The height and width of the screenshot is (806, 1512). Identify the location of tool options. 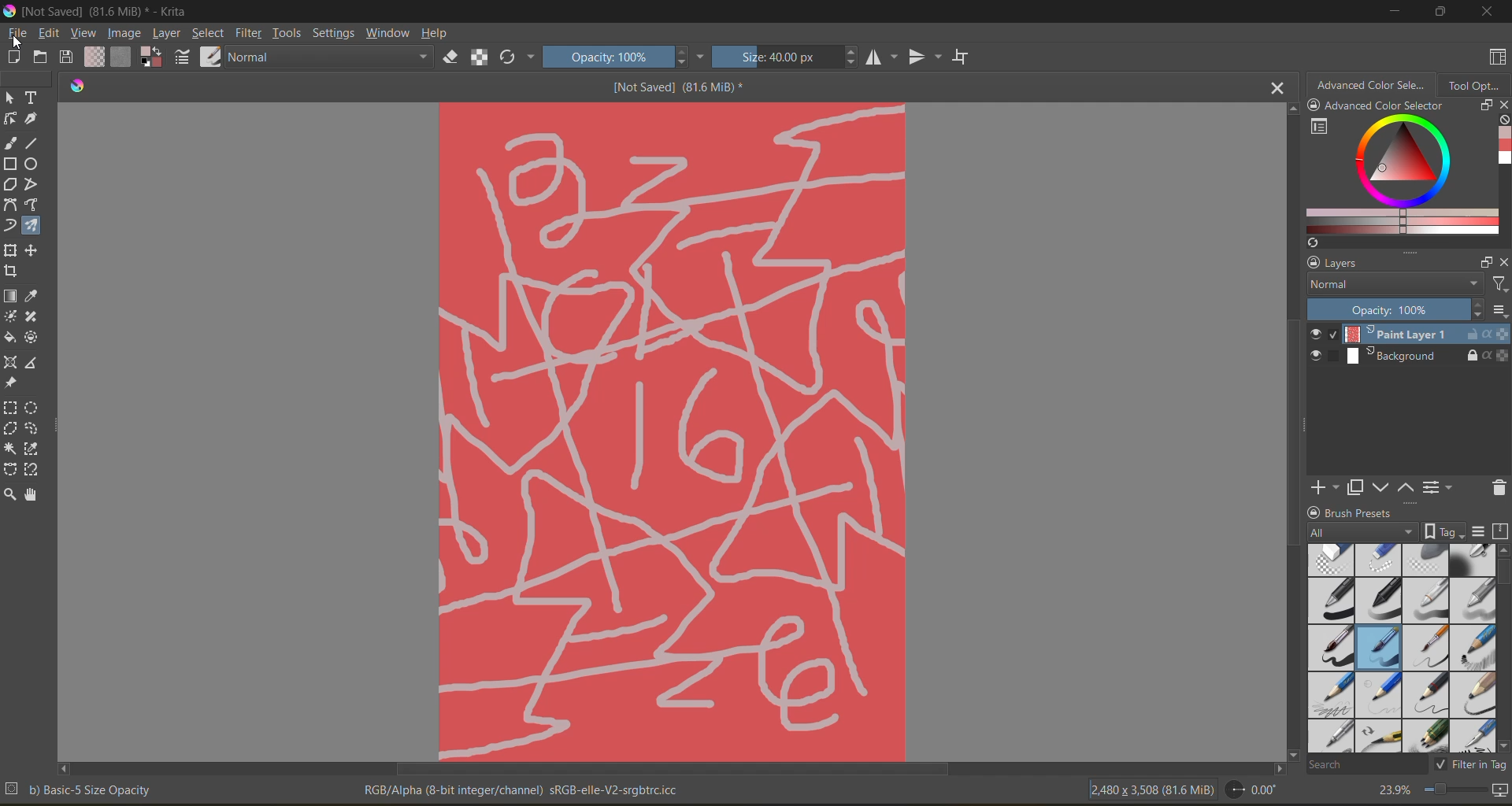
(1475, 84).